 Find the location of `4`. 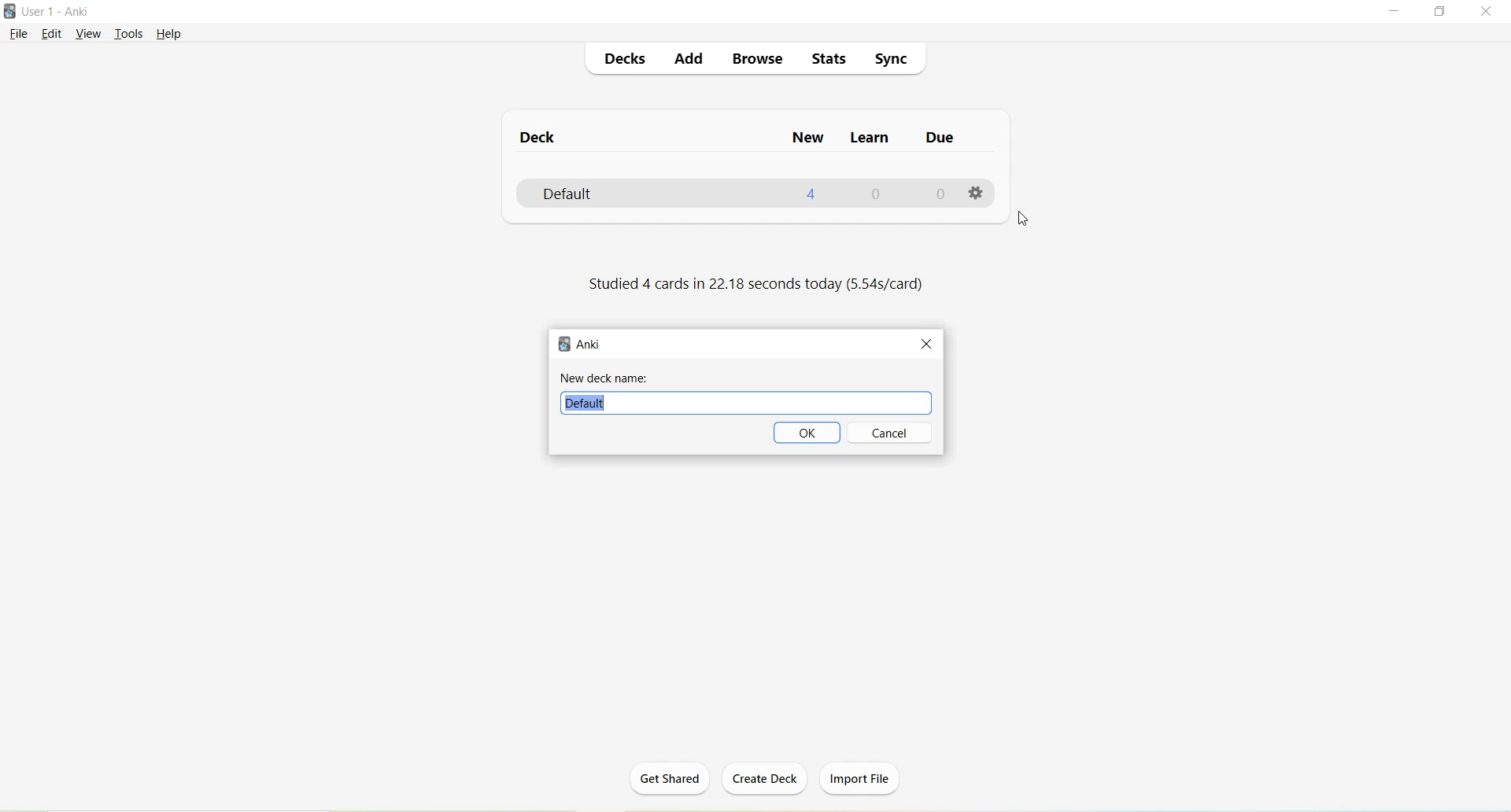

4 is located at coordinates (812, 194).